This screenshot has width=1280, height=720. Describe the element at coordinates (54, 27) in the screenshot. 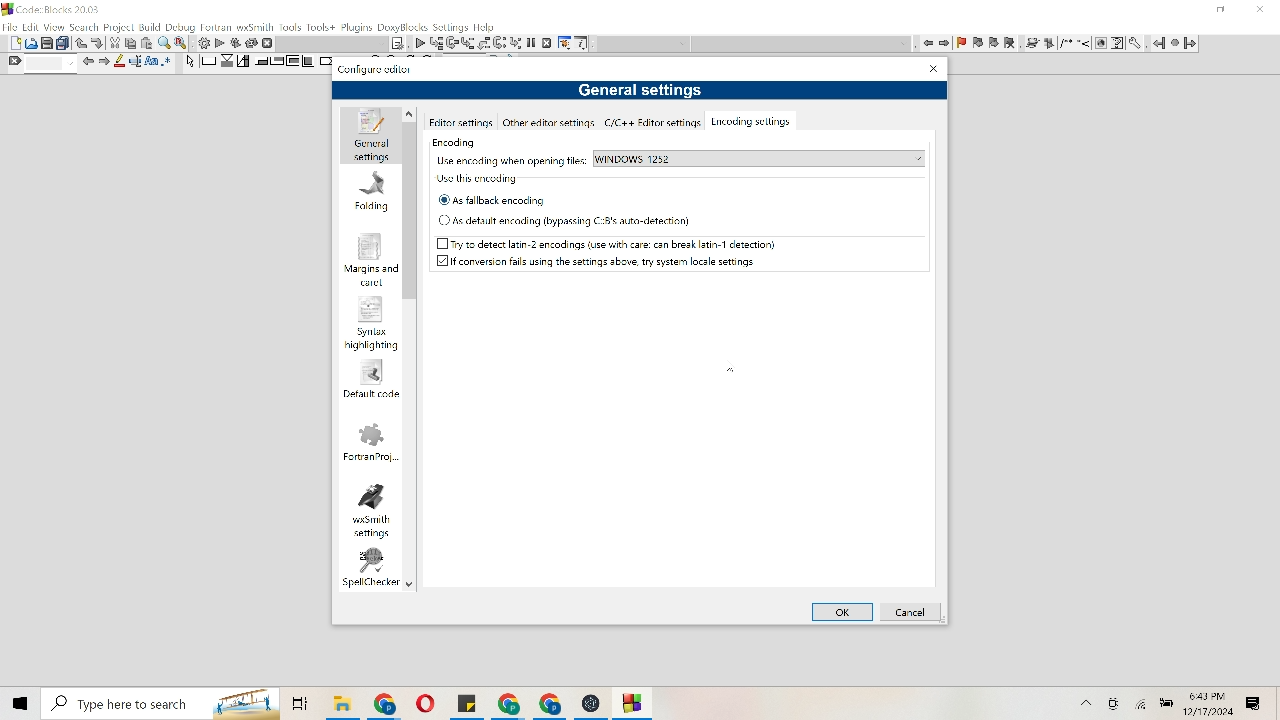

I see `View` at that location.